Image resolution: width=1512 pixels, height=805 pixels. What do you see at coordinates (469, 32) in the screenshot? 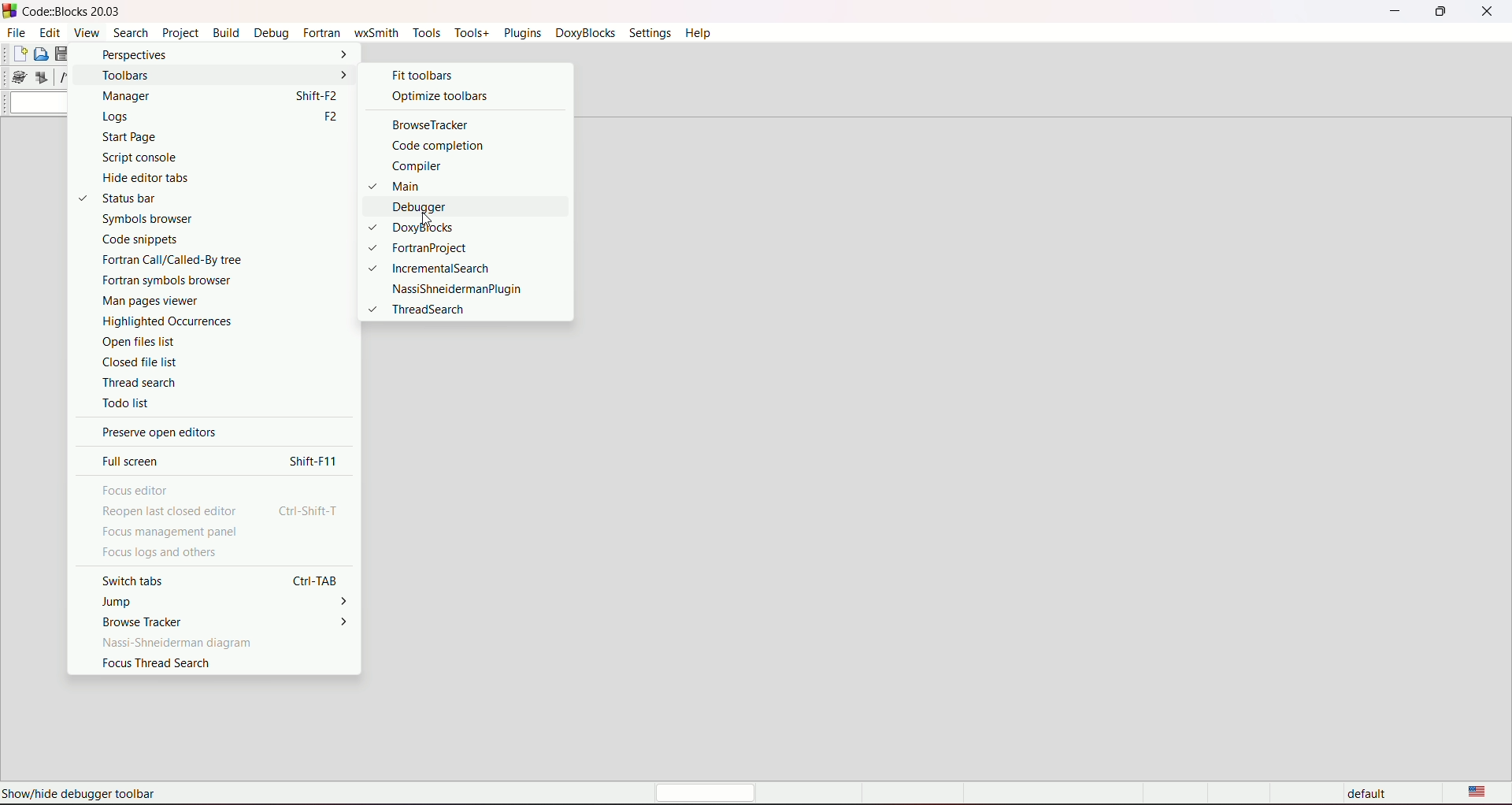
I see `tools+` at bounding box center [469, 32].